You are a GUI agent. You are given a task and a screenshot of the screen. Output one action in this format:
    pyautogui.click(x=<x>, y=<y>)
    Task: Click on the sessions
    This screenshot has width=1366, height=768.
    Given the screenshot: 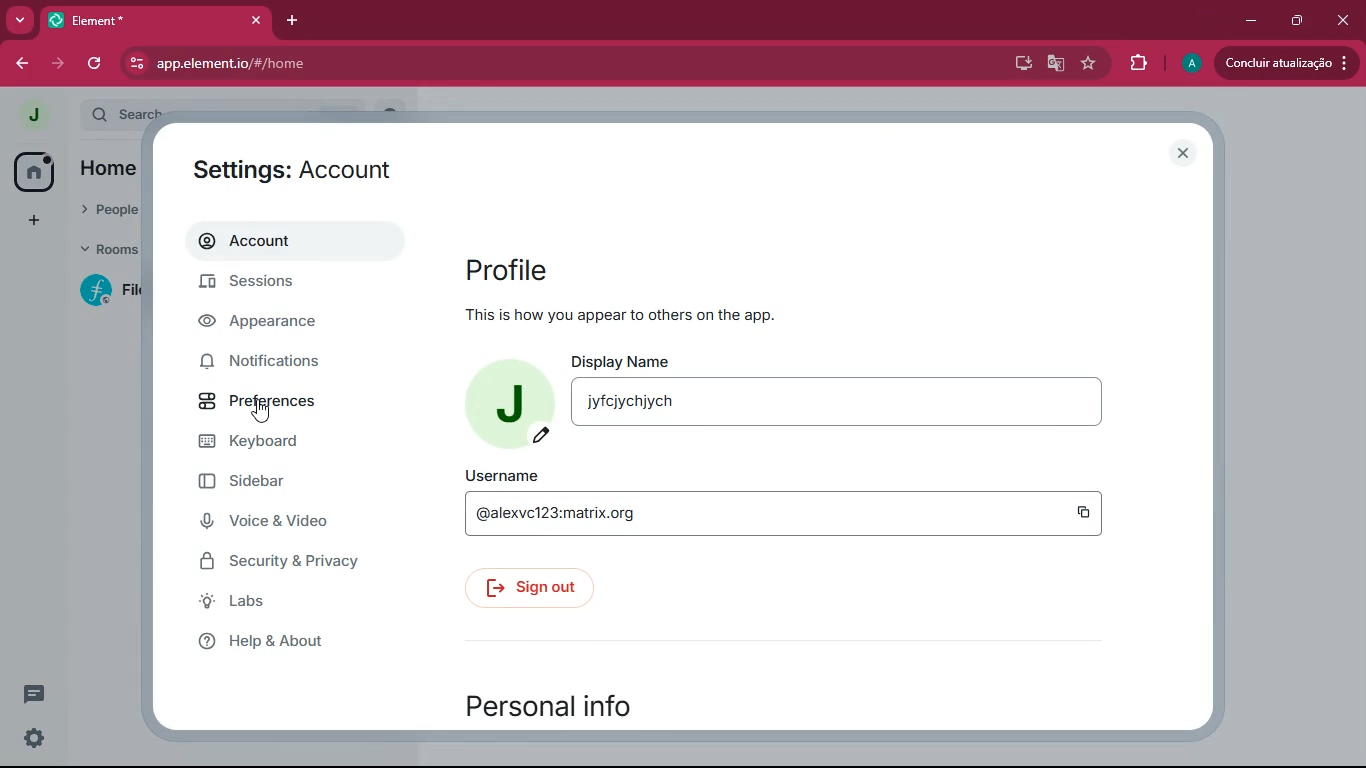 What is the action you would take?
    pyautogui.click(x=284, y=280)
    